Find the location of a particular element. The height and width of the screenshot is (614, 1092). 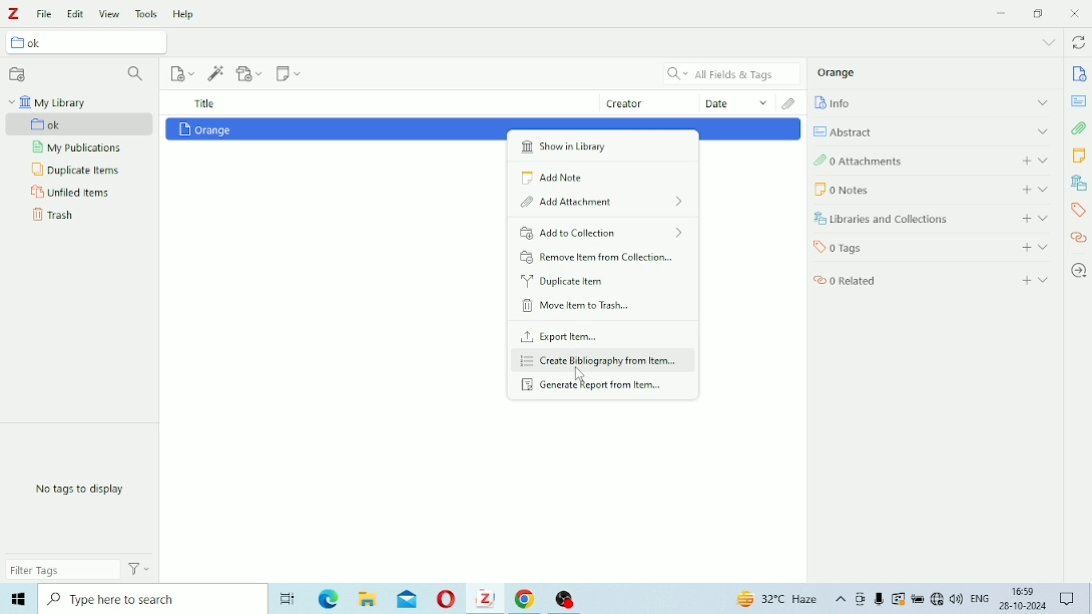

All Fields & Tags is located at coordinates (732, 74).